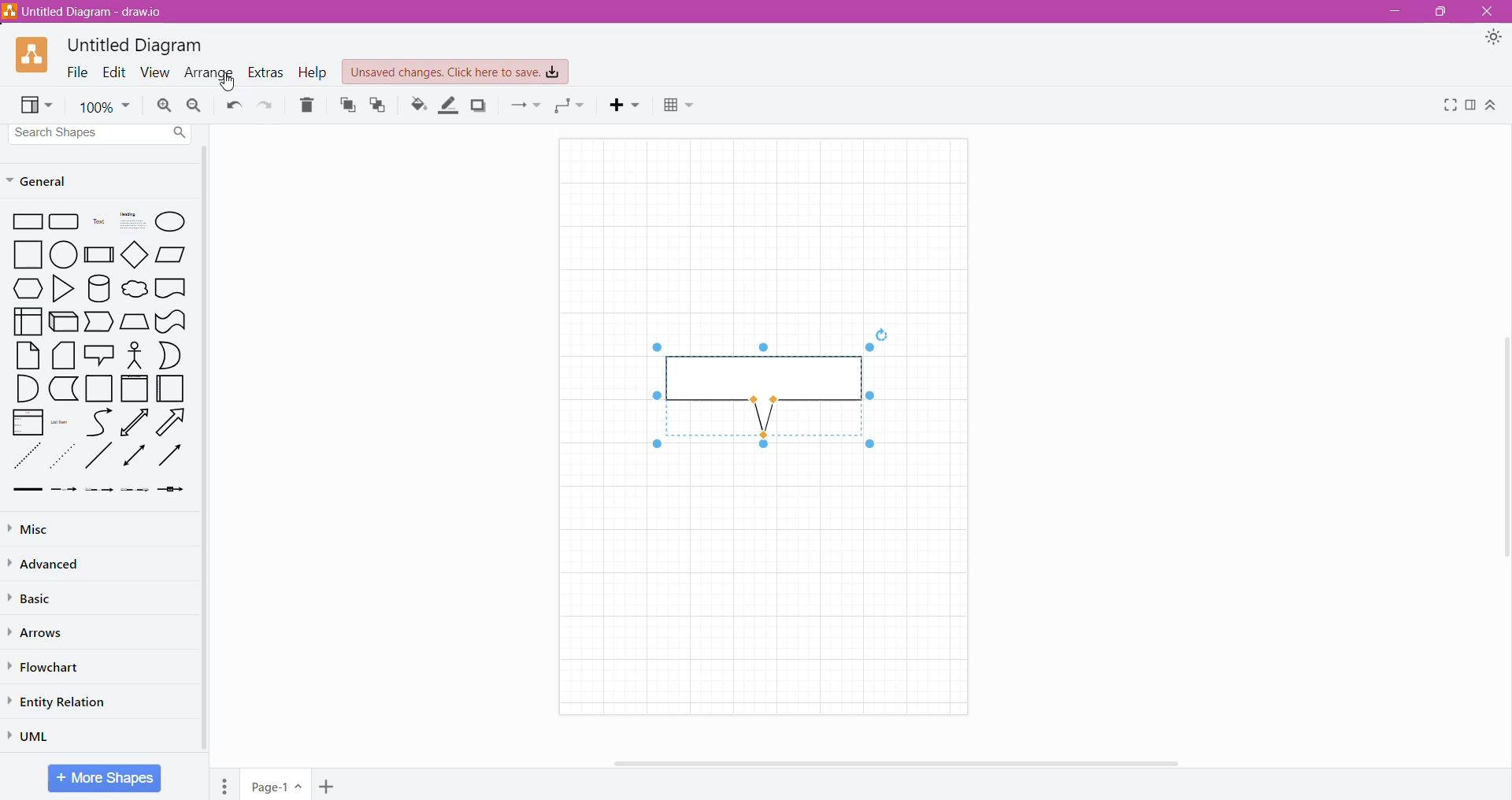  I want to click on Table, so click(681, 107).